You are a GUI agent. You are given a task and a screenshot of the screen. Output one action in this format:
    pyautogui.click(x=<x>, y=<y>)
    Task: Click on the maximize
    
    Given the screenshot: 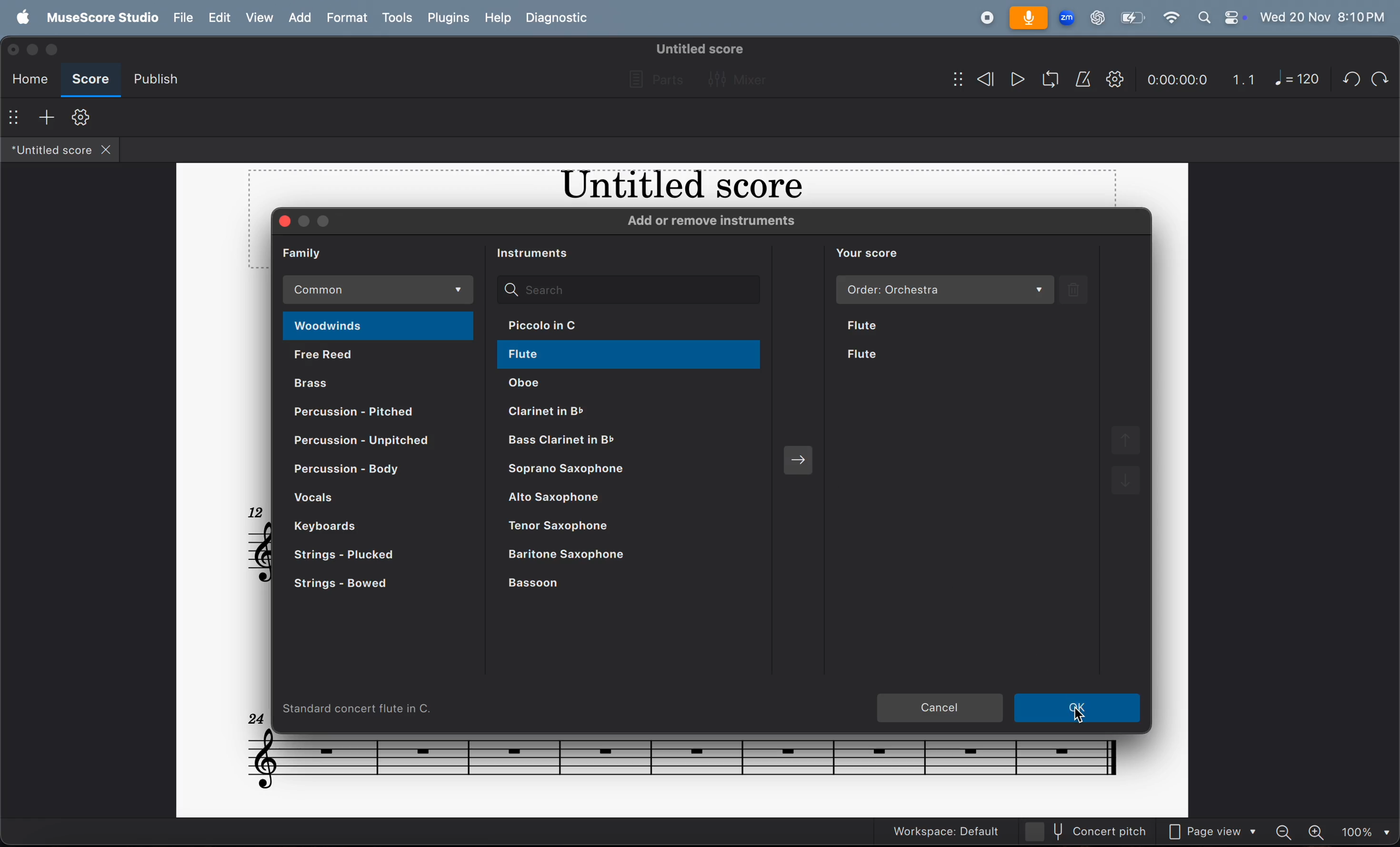 What is the action you would take?
    pyautogui.click(x=329, y=222)
    